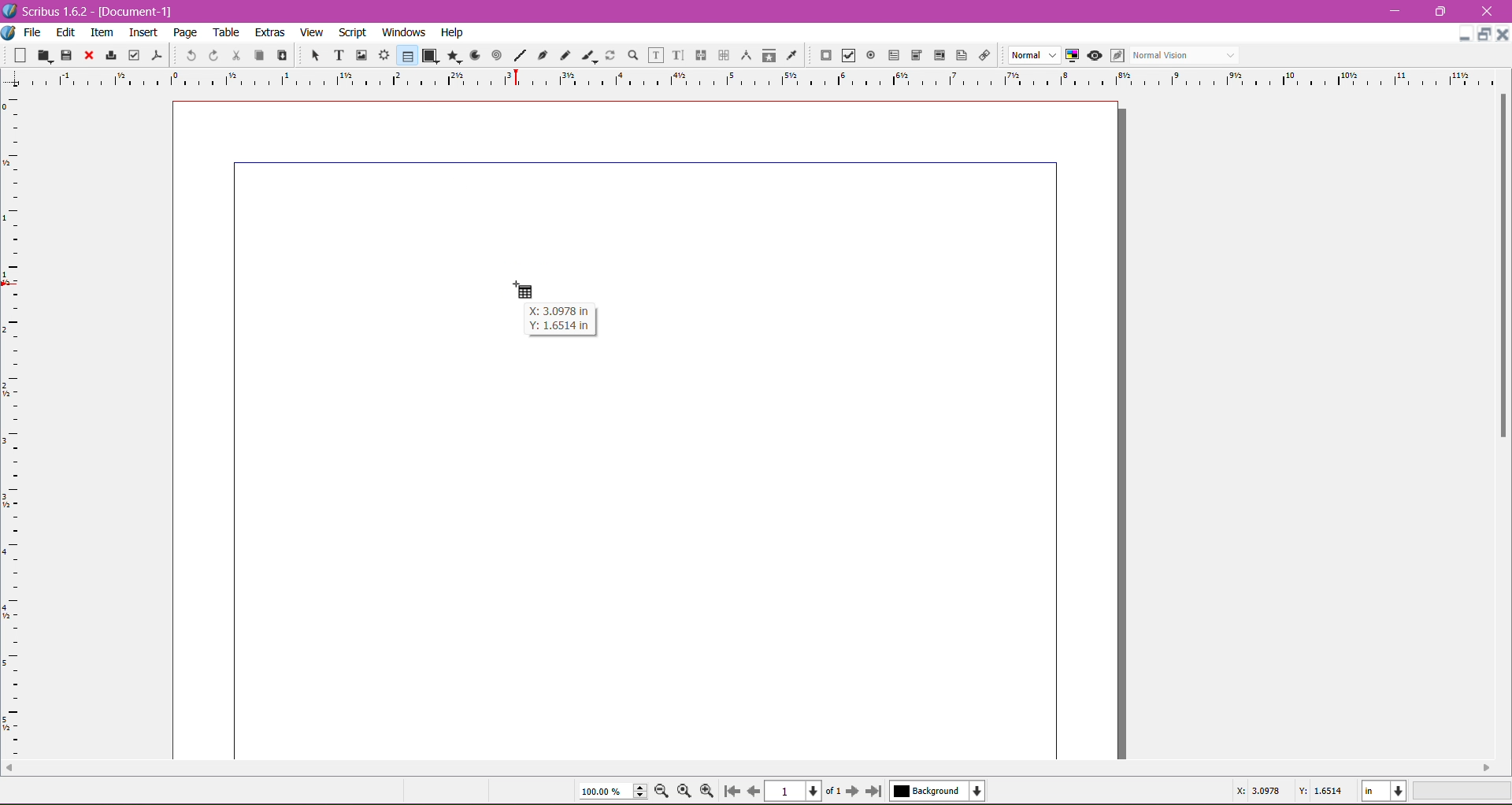  Describe the element at coordinates (558, 309) in the screenshot. I see `X: 3.0978 in` at that location.